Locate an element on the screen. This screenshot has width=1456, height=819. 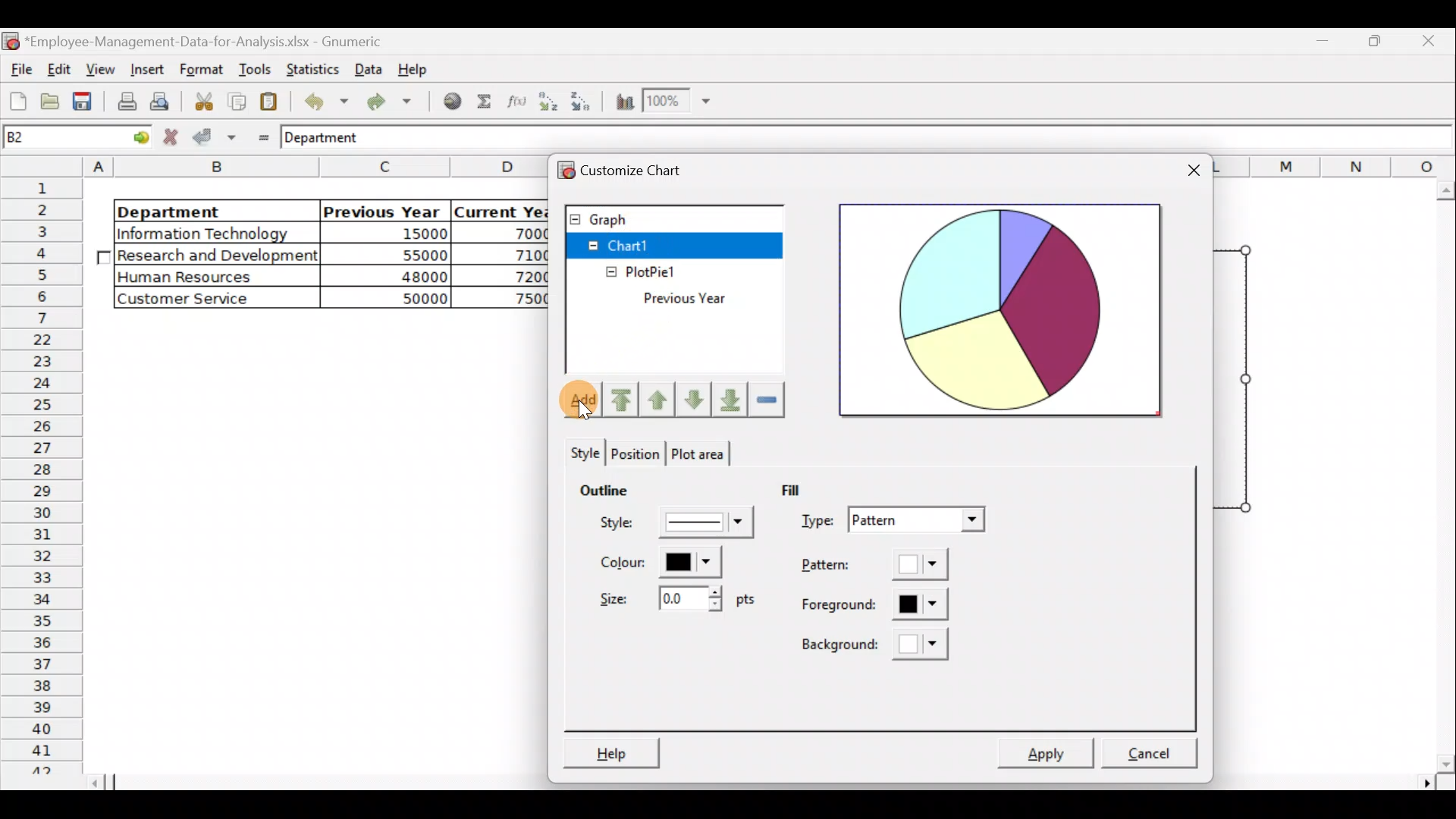
Format is located at coordinates (199, 70).